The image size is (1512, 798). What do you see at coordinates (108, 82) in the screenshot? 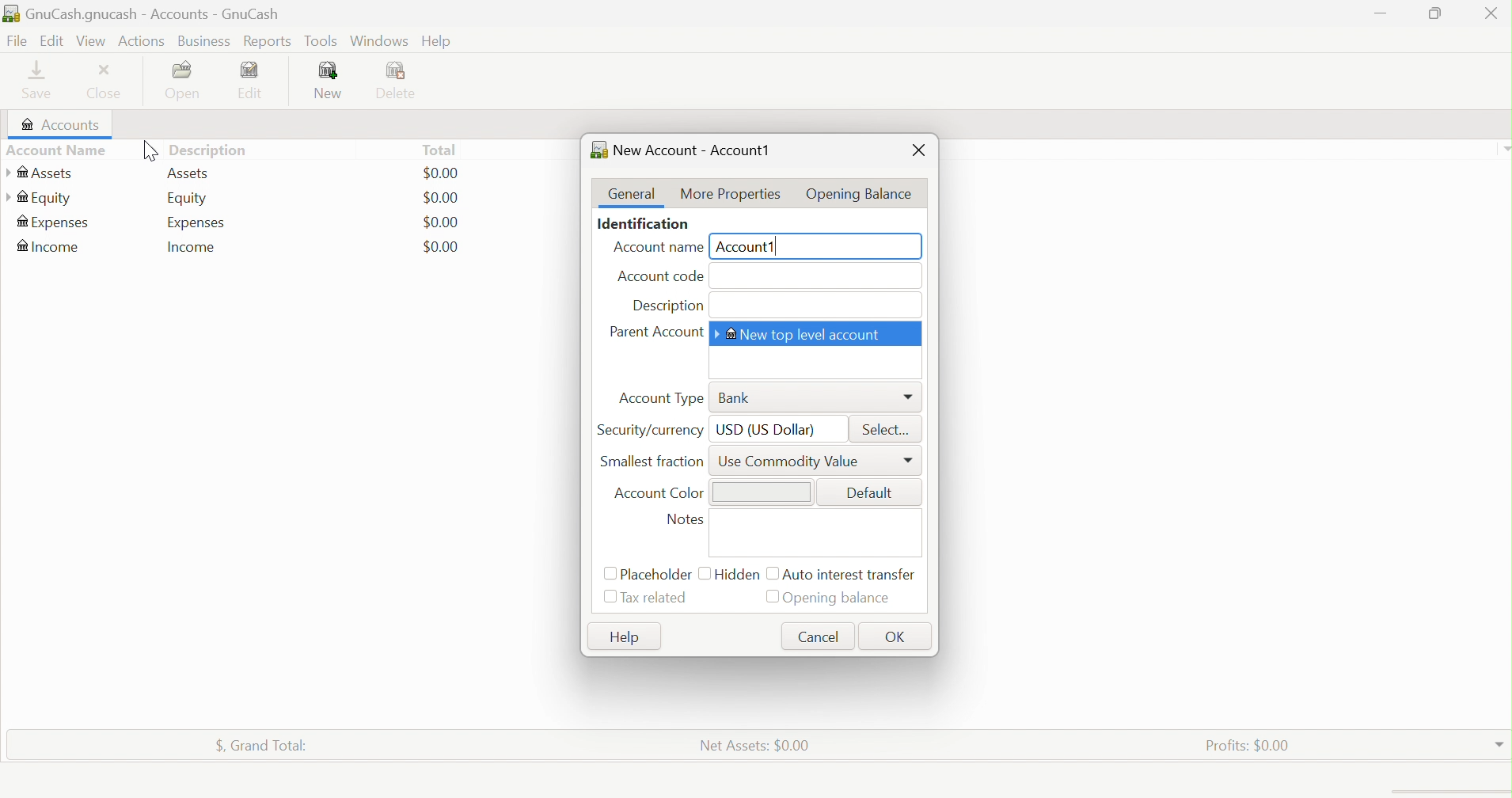
I see `Close` at bounding box center [108, 82].